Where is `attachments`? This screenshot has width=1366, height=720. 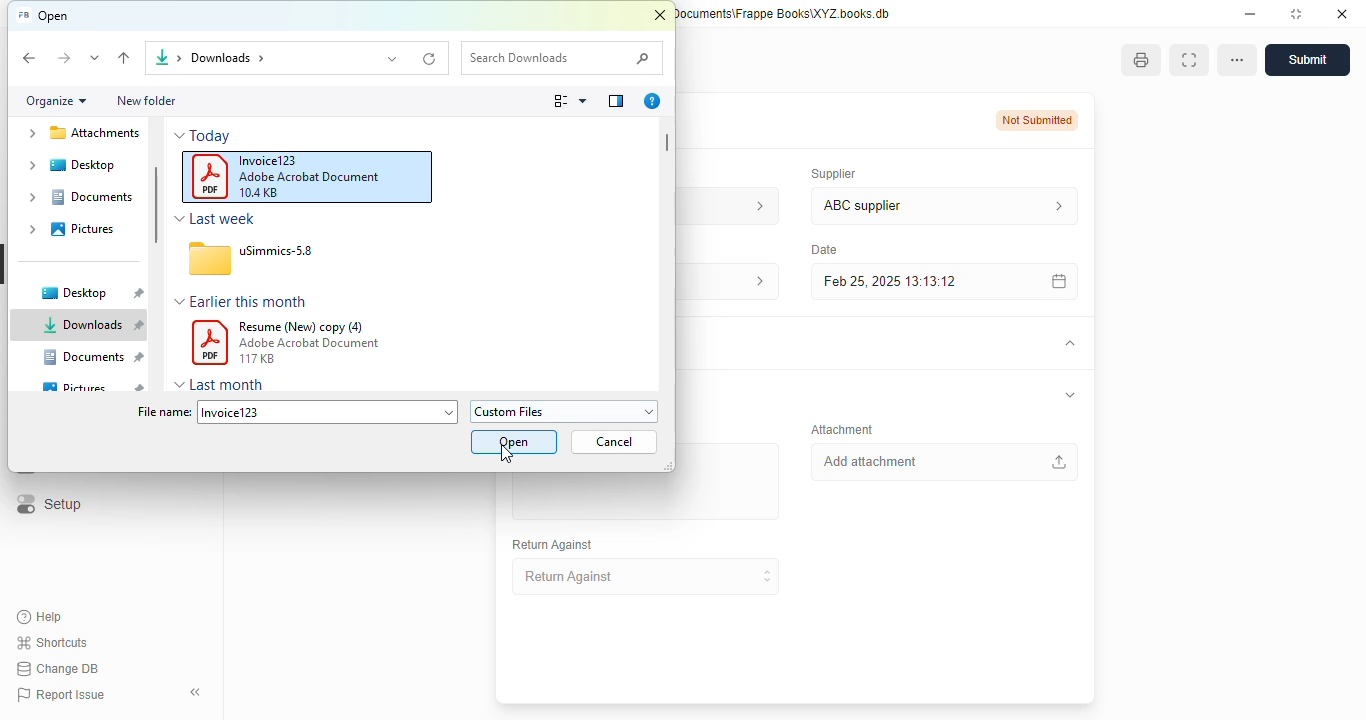 attachments is located at coordinates (80, 135).